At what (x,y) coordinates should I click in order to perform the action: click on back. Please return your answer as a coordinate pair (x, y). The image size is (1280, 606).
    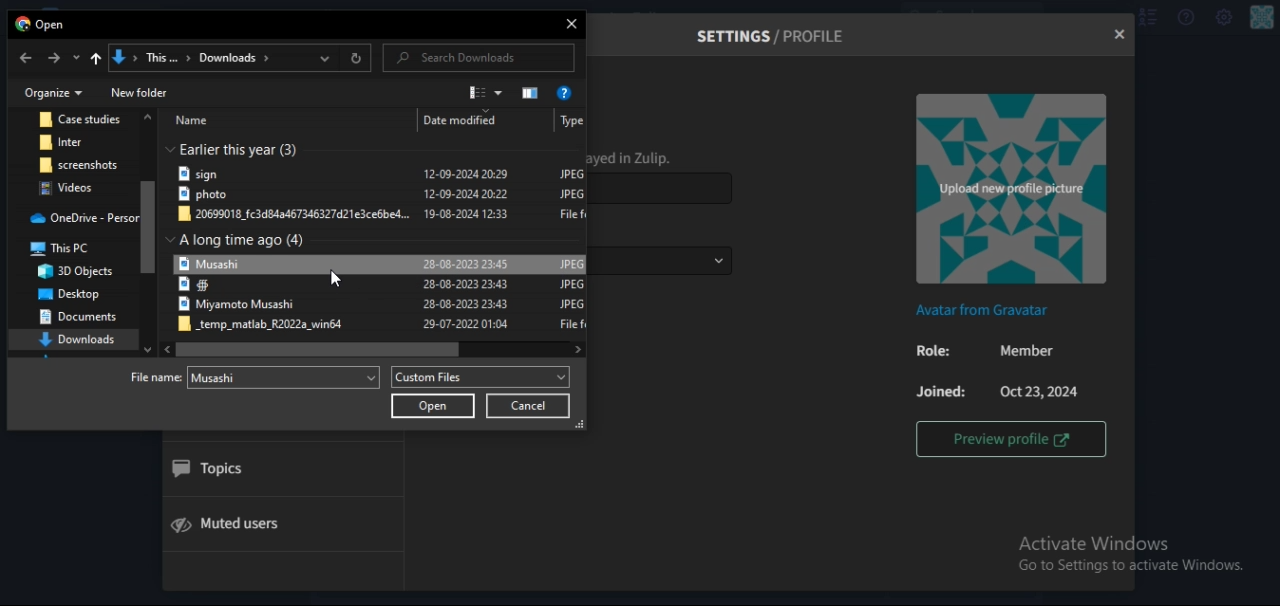
    Looking at the image, I should click on (25, 58).